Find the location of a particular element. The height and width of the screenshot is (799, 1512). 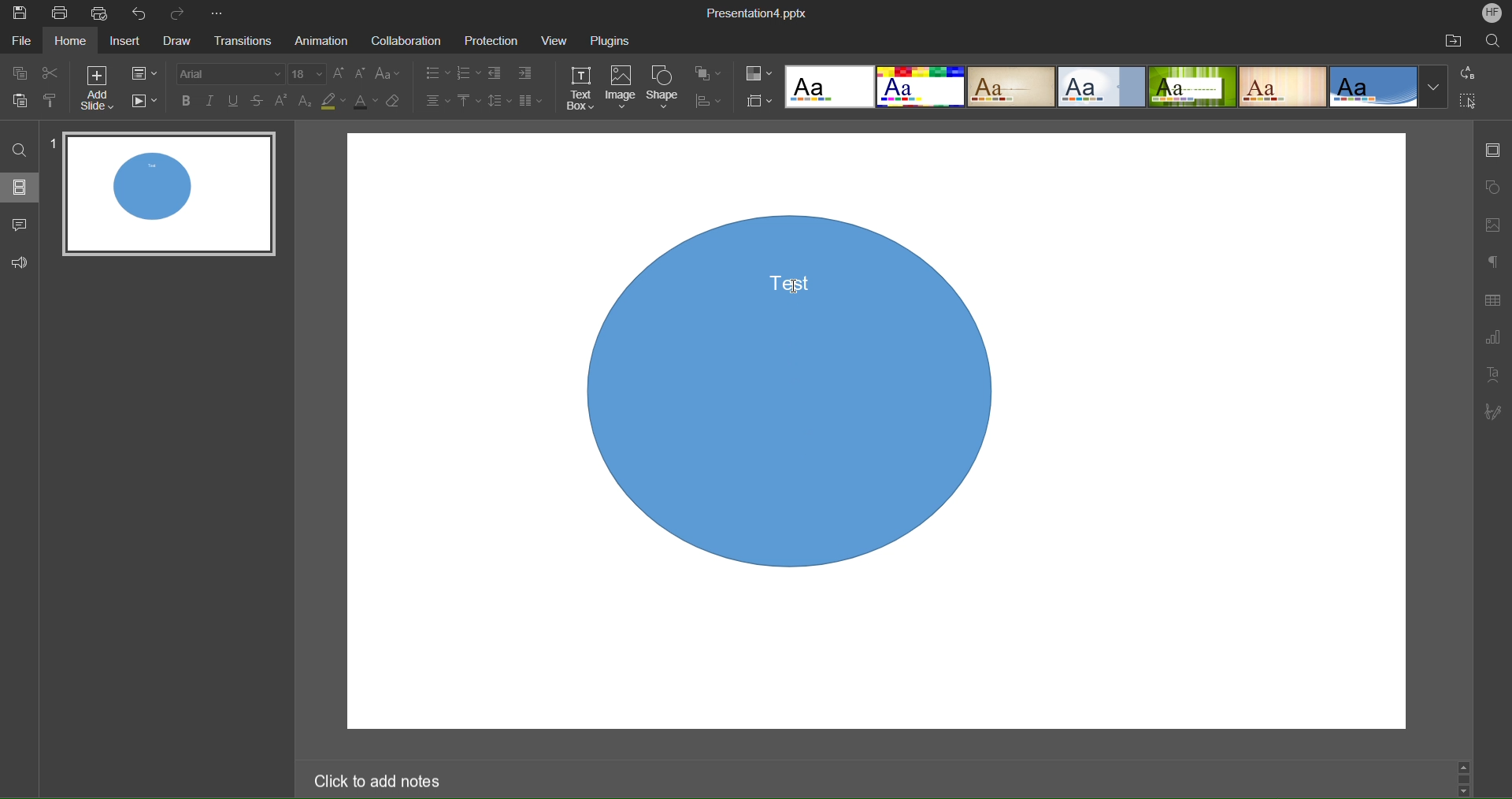

Open File Location is located at coordinates (1450, 42).